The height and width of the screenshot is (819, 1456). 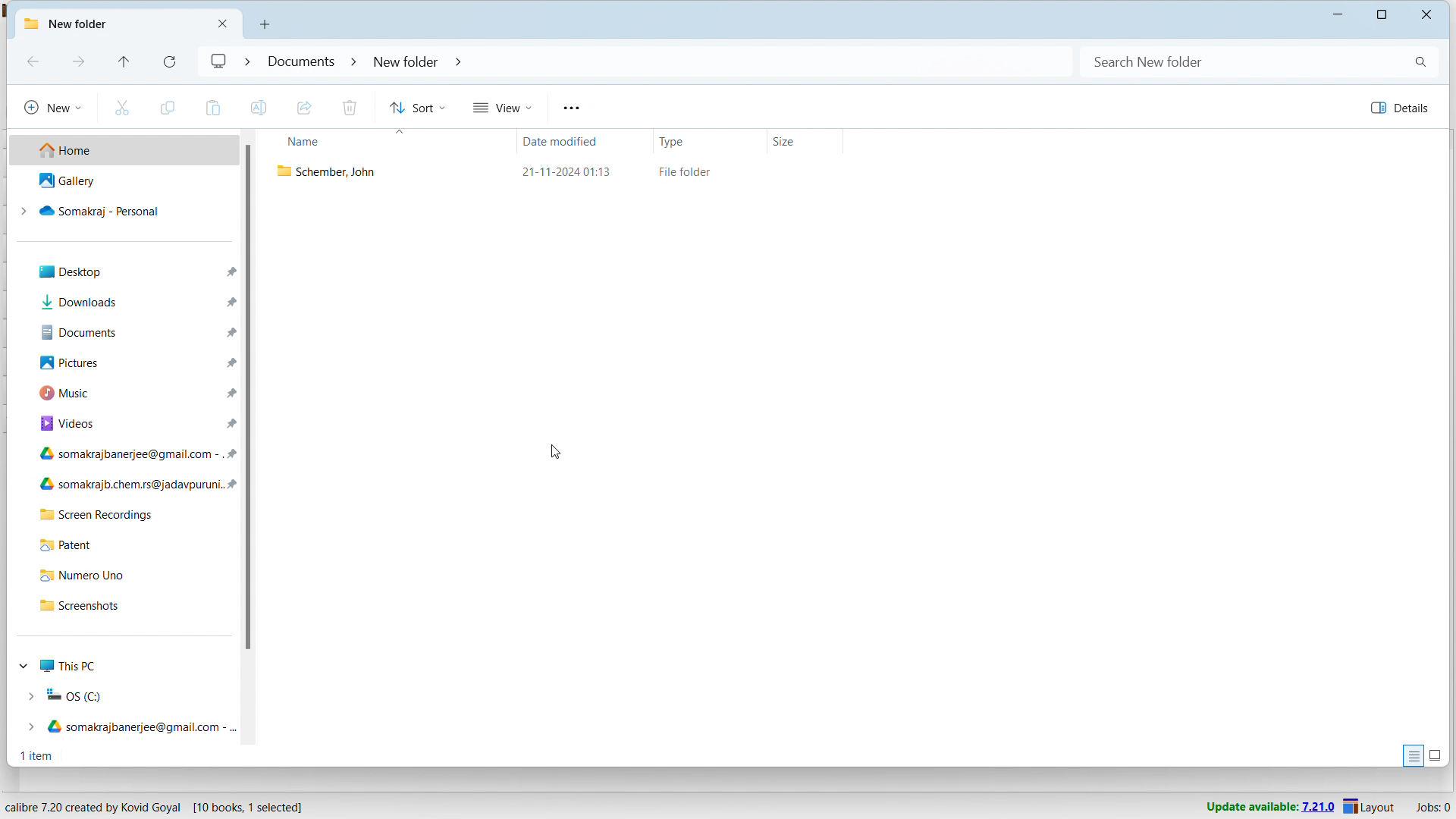 What do you see at coordinates (381, 142) in the screenshot?
I see `sort by name` at bounding box center [381, 142].